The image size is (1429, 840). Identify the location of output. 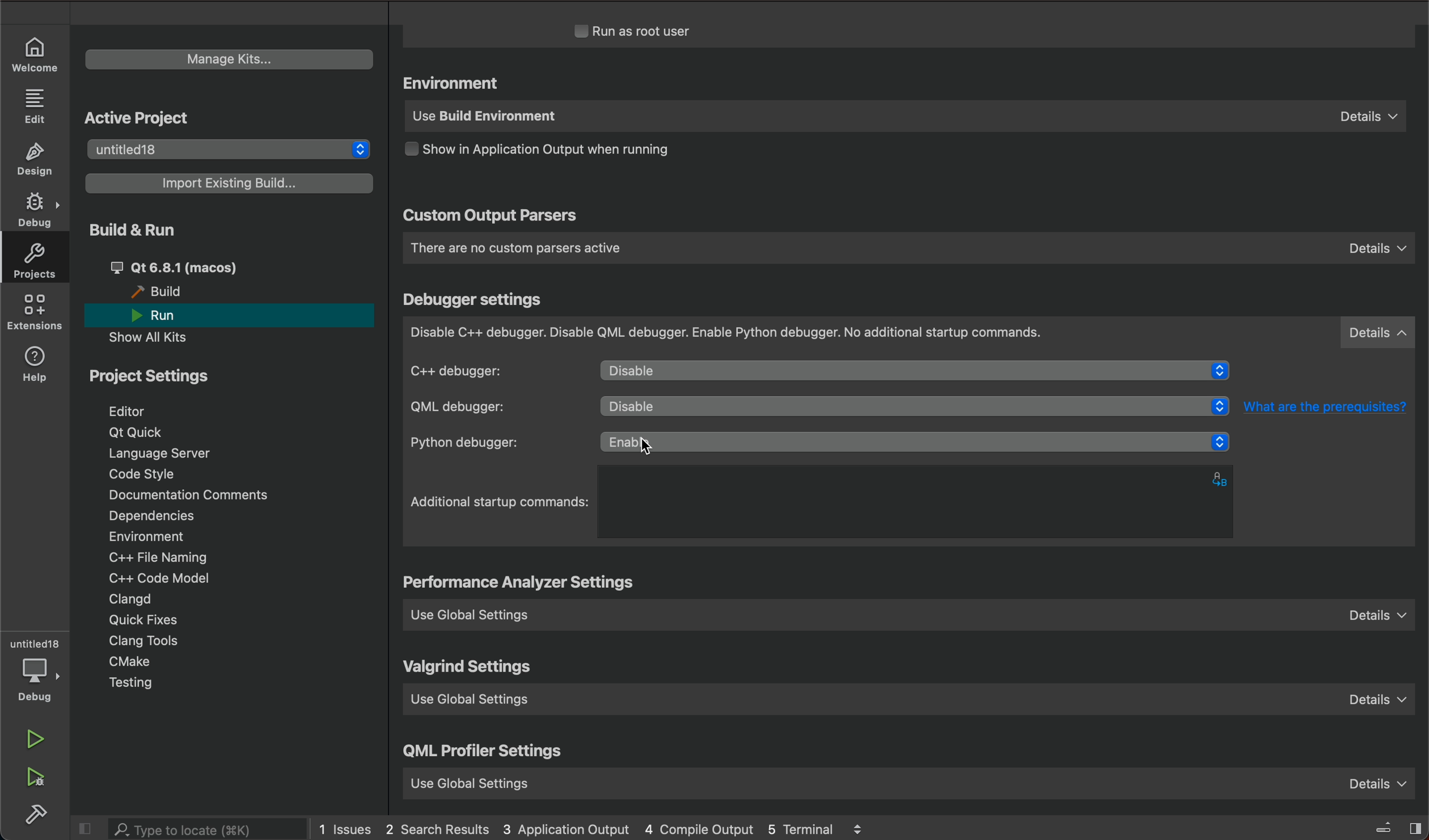
(557, 152).